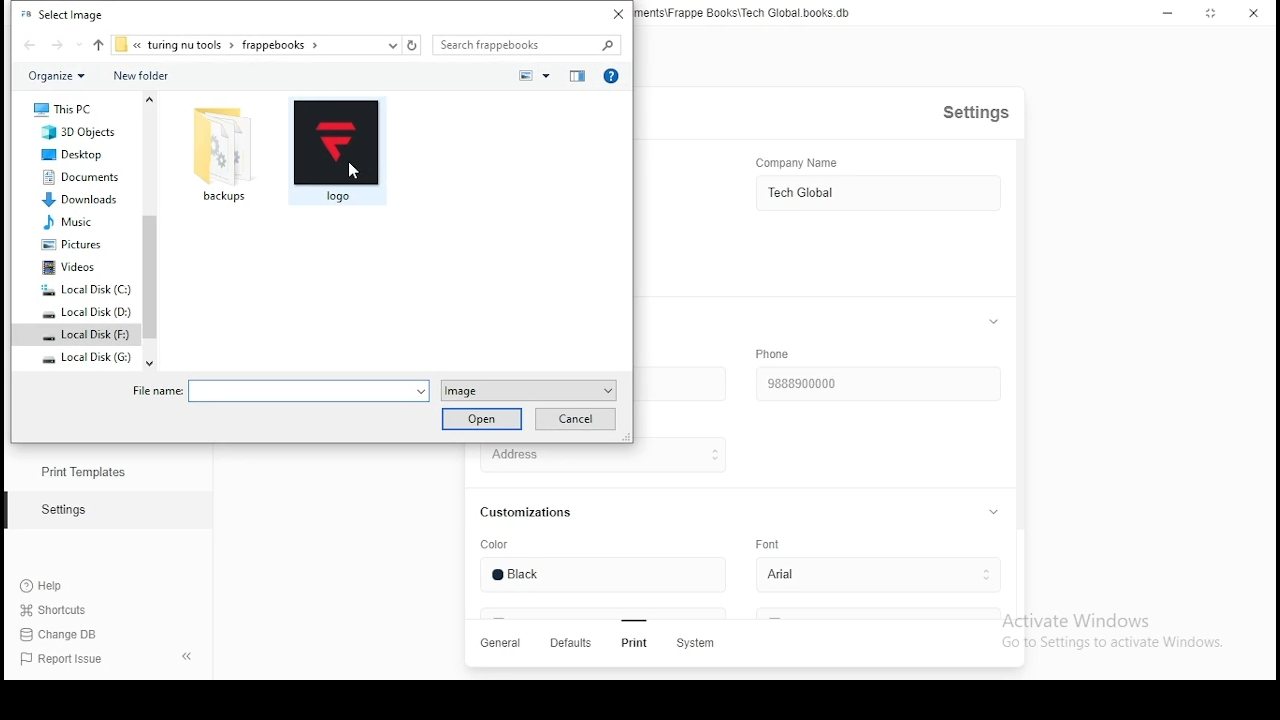 The width and height of the screenshot is (1280, 720). What do you see at coordinates (768, 544) in the screenshot?
I see `Font` at bounding box center [768, 544].